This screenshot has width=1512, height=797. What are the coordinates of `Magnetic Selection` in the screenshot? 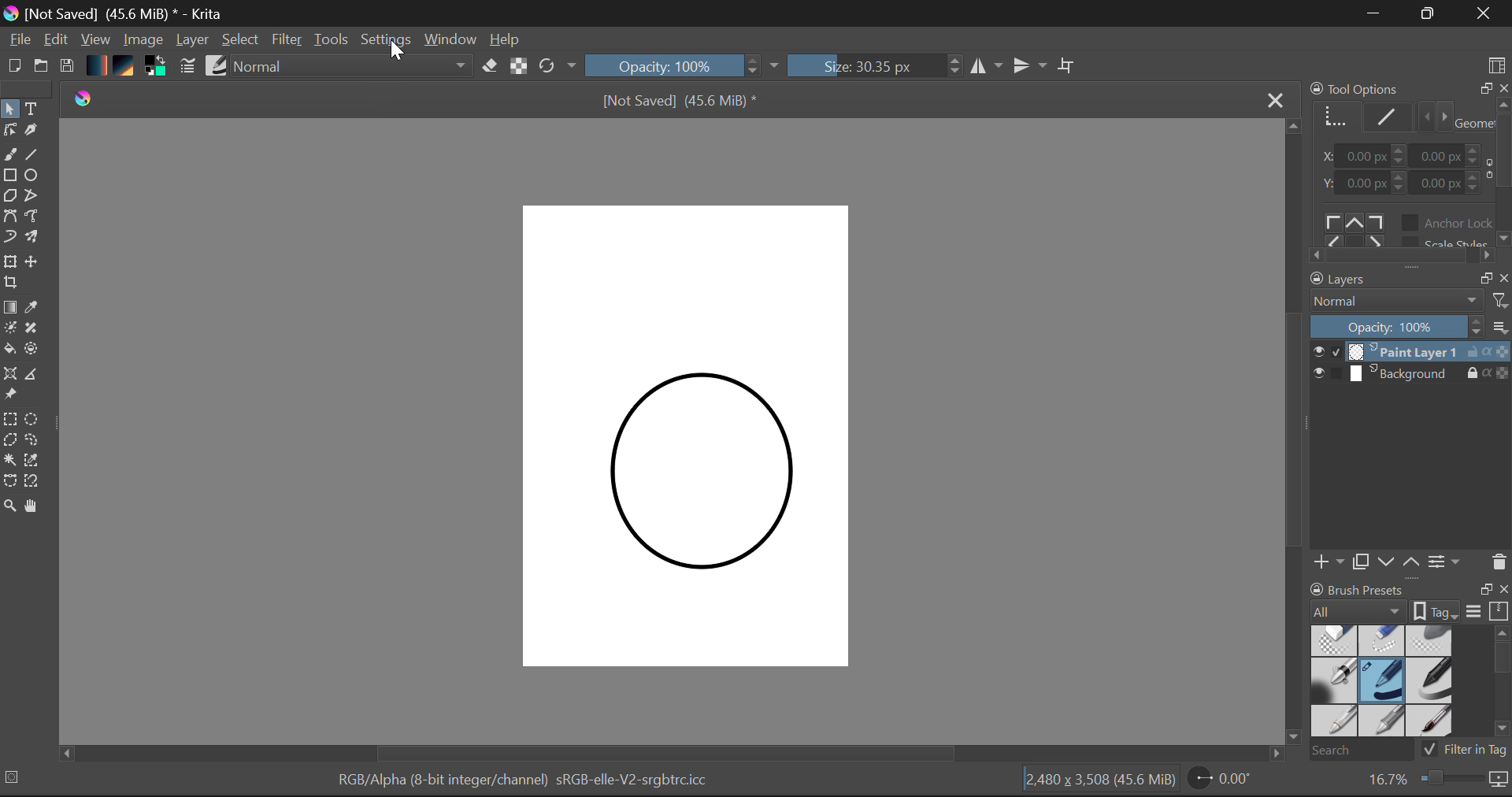 It's located at (30, 481).